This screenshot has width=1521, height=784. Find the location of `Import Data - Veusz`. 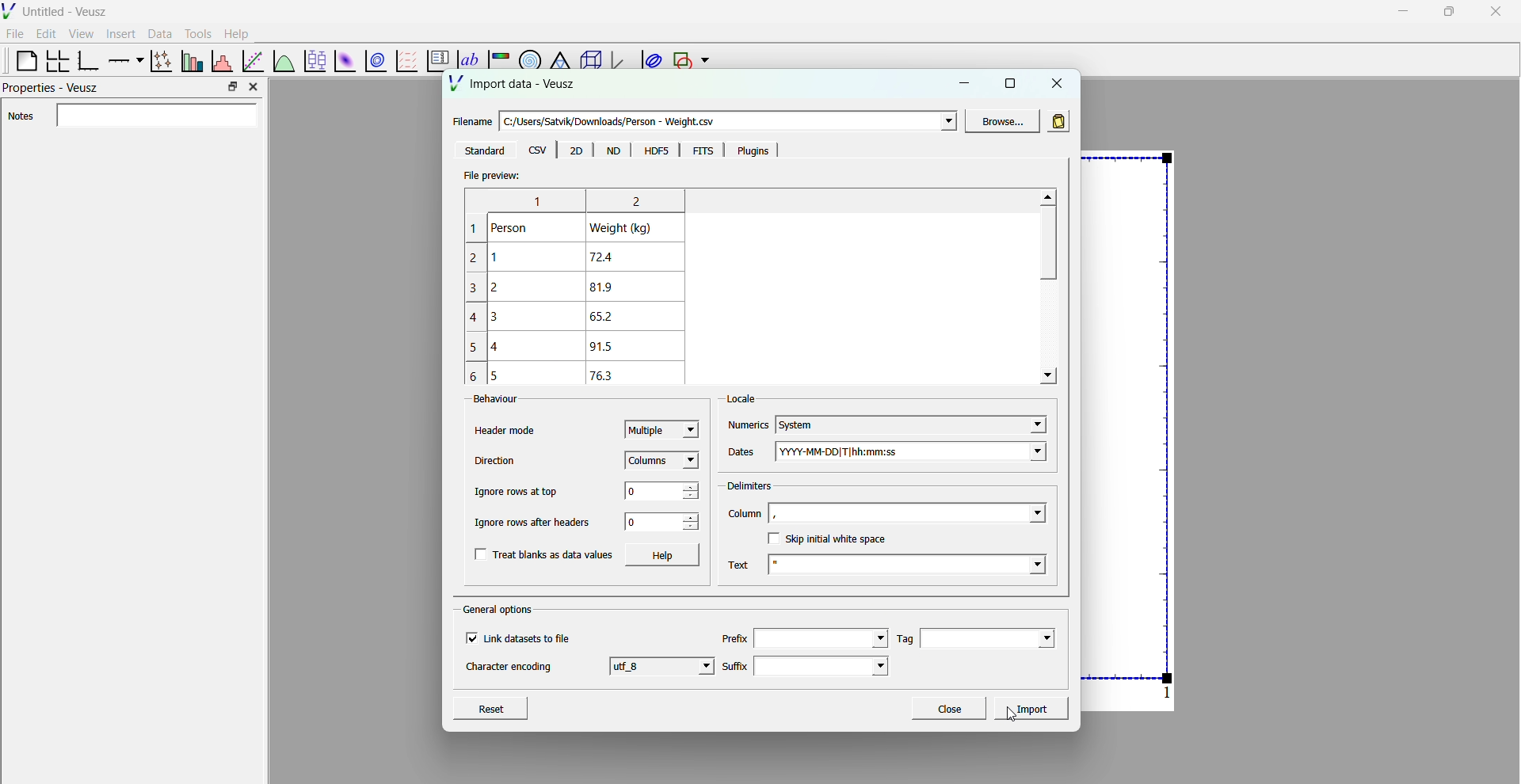

Import Data - Veusz is located at coordinates (515, 86).